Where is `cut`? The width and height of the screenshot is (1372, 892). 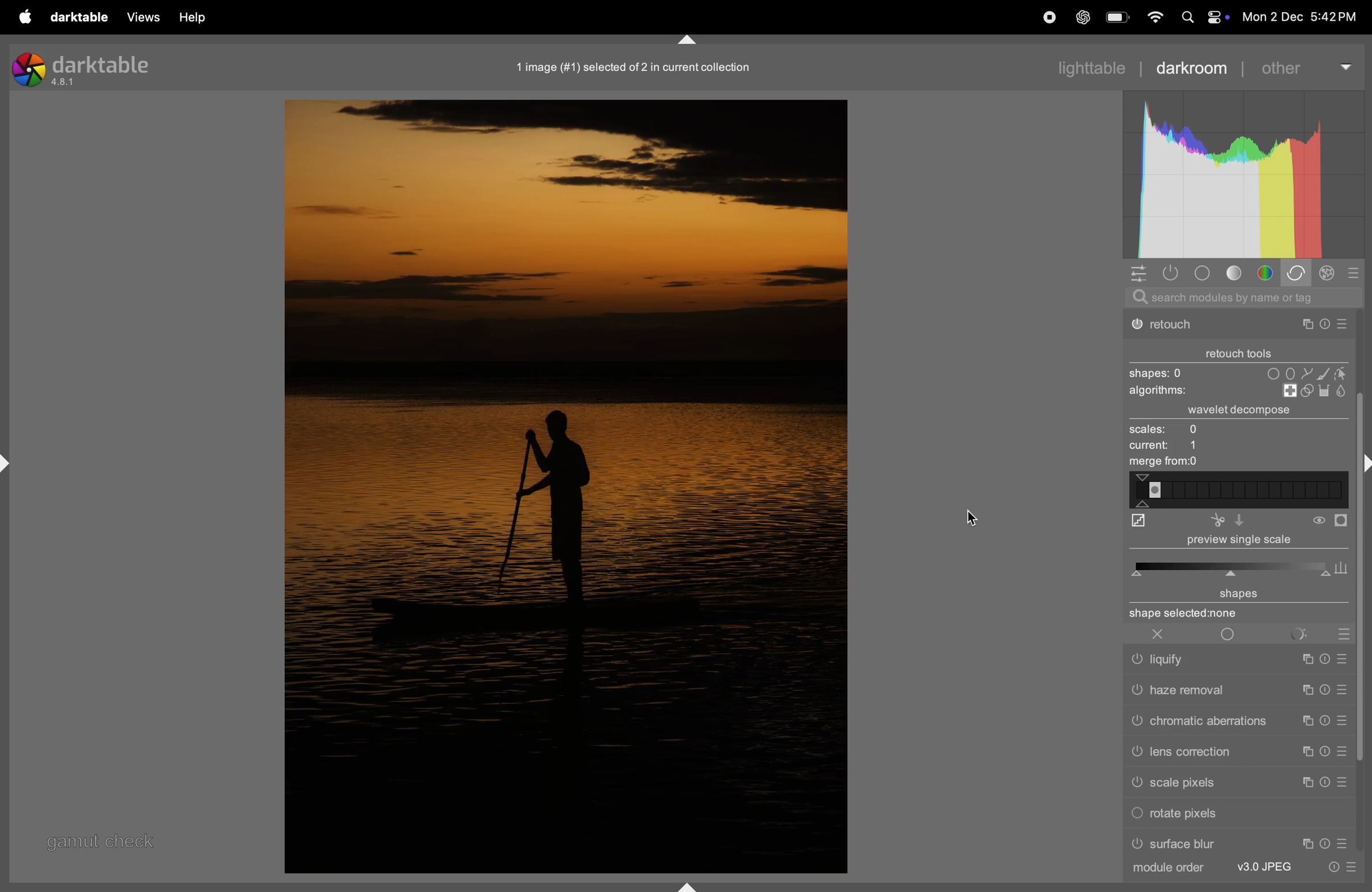 cut is located at coordinates (1218, 521).